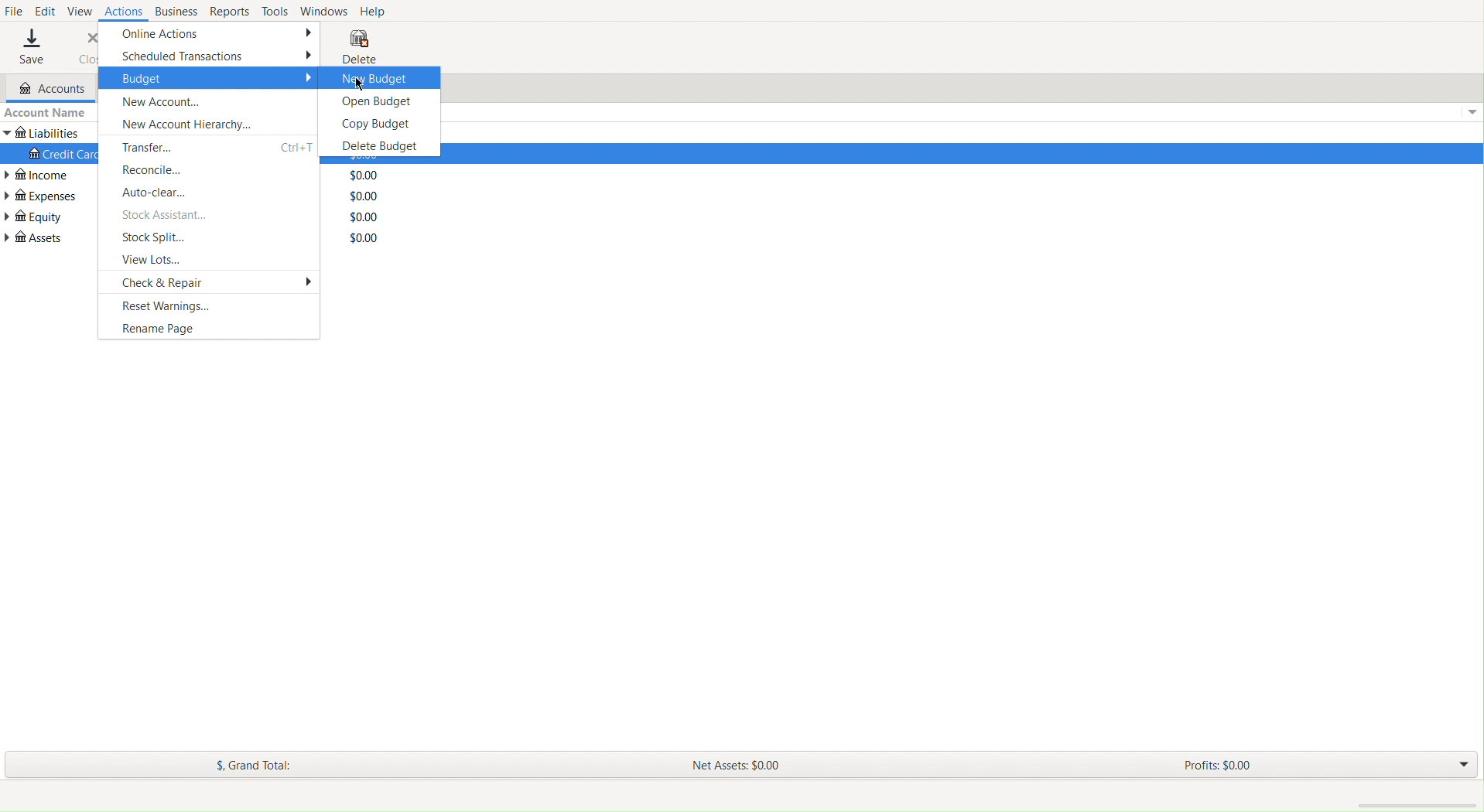 Image resolution: width=1484 pixels, height=812 pixels. Describe the element at coordinates (157, 145) in the screenshot. I see `Transfer` at that location.